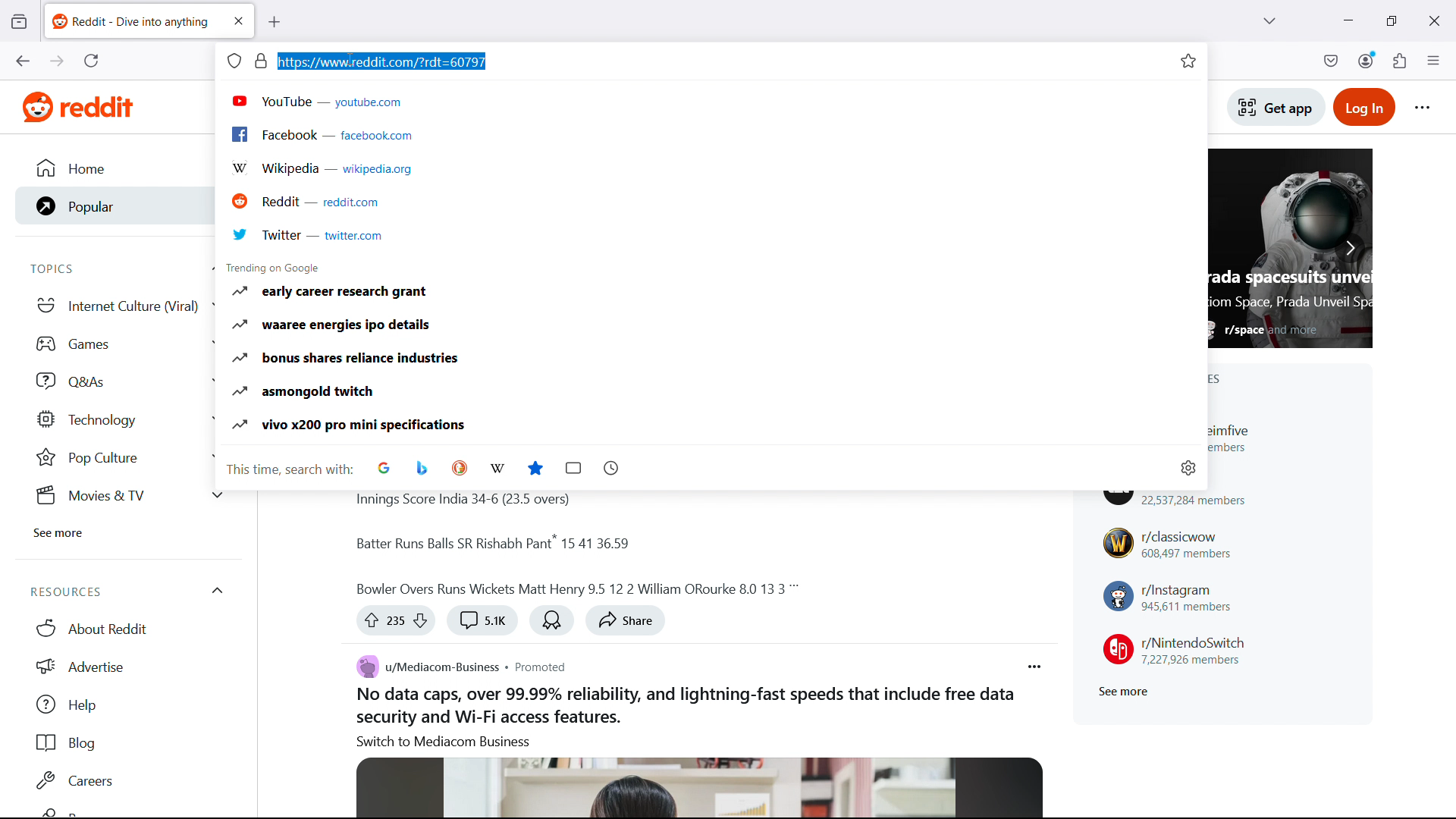  Describe the element at coordinates (1350, 246) in the screenshot. I see `Scroll right to see more featured posts` at that location.